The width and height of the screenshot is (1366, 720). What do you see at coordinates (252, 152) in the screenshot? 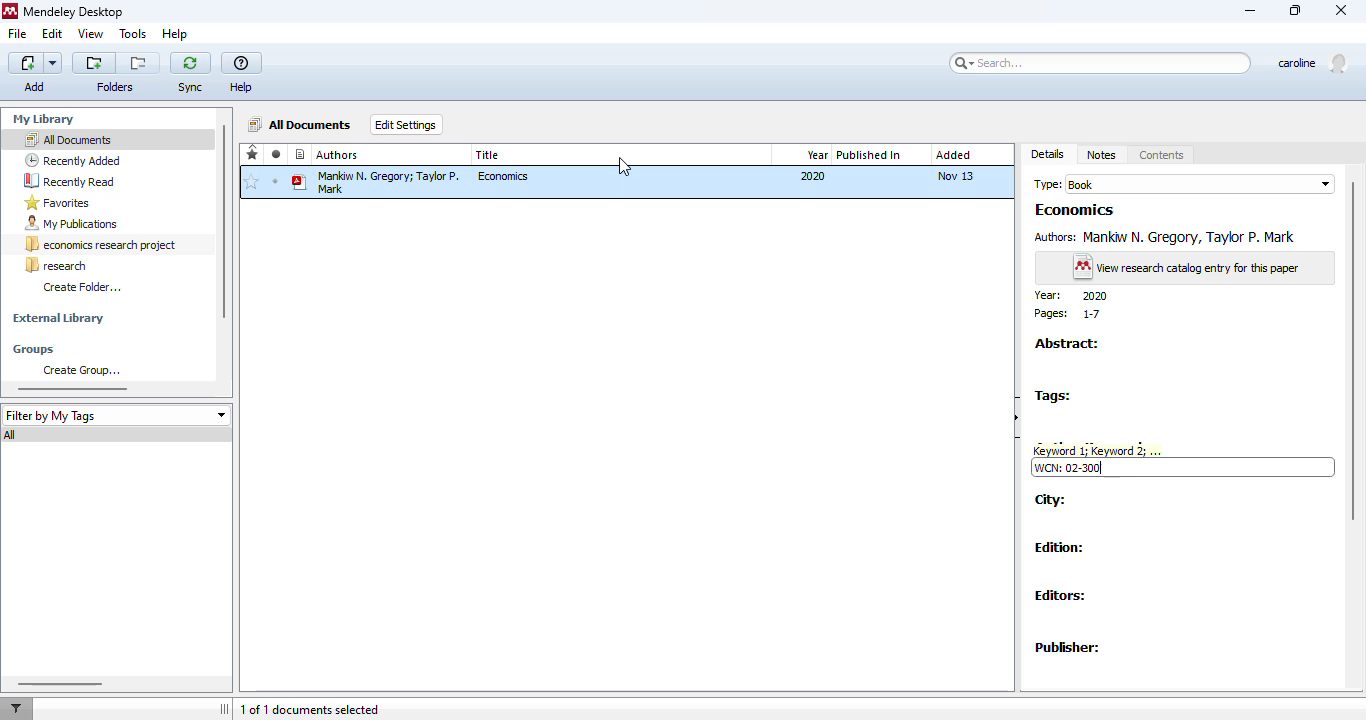
I see `favorites` at bounding box center [252, 152].